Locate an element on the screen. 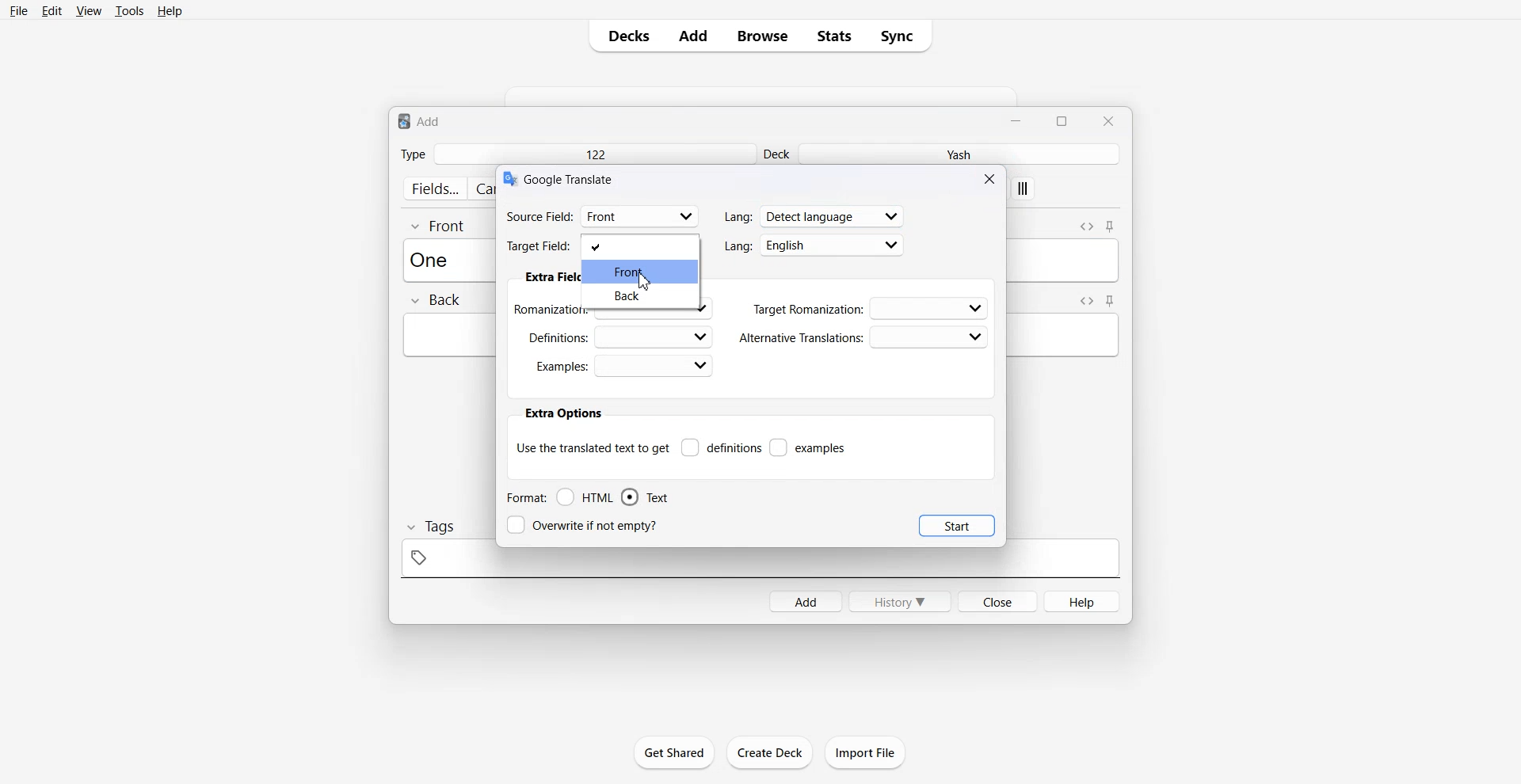 The height and width of the screenshot is (784, 1521). Close is located at coordinates (1107, 120).